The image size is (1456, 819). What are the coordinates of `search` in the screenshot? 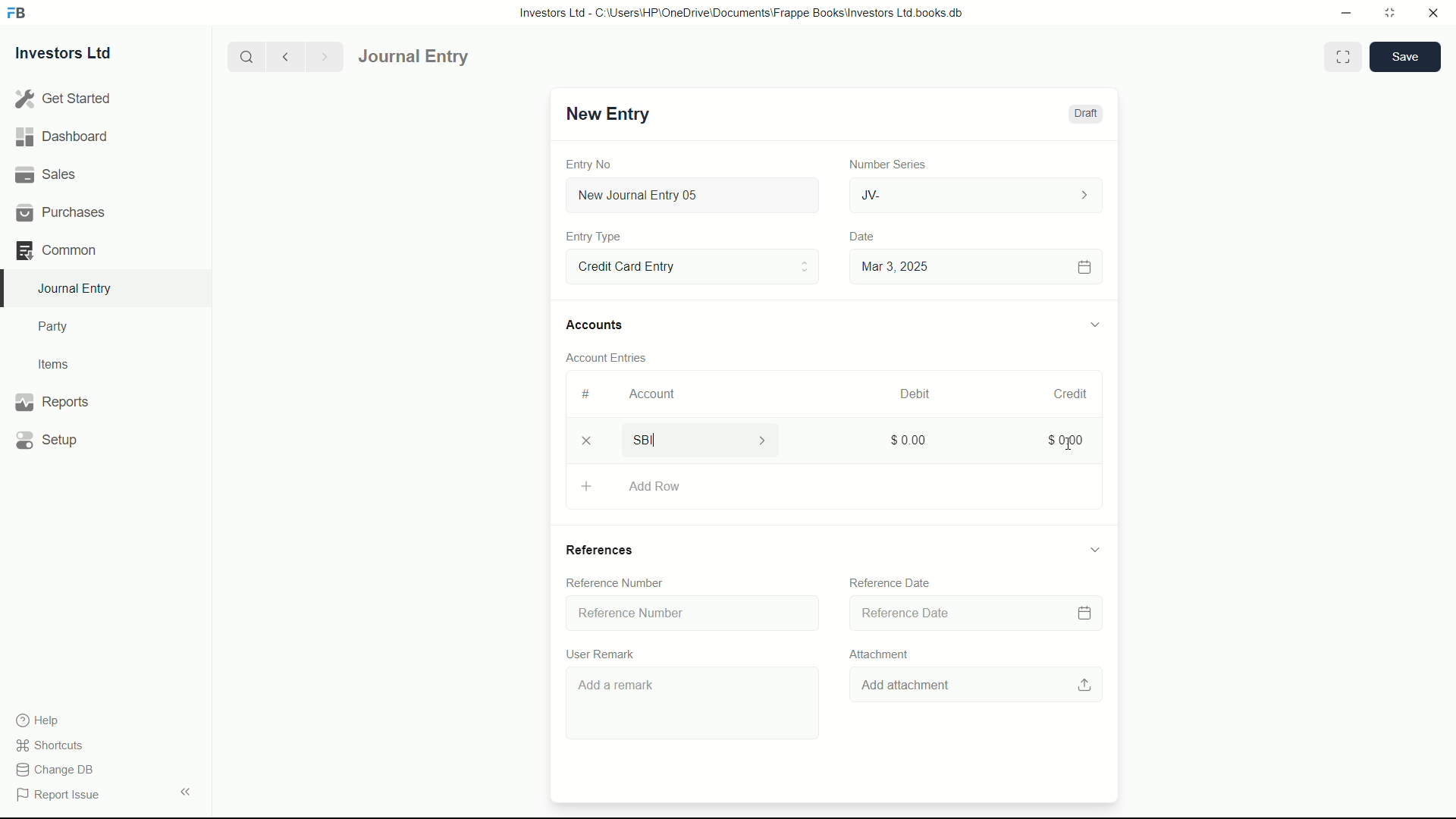 It's located at (245, 55).